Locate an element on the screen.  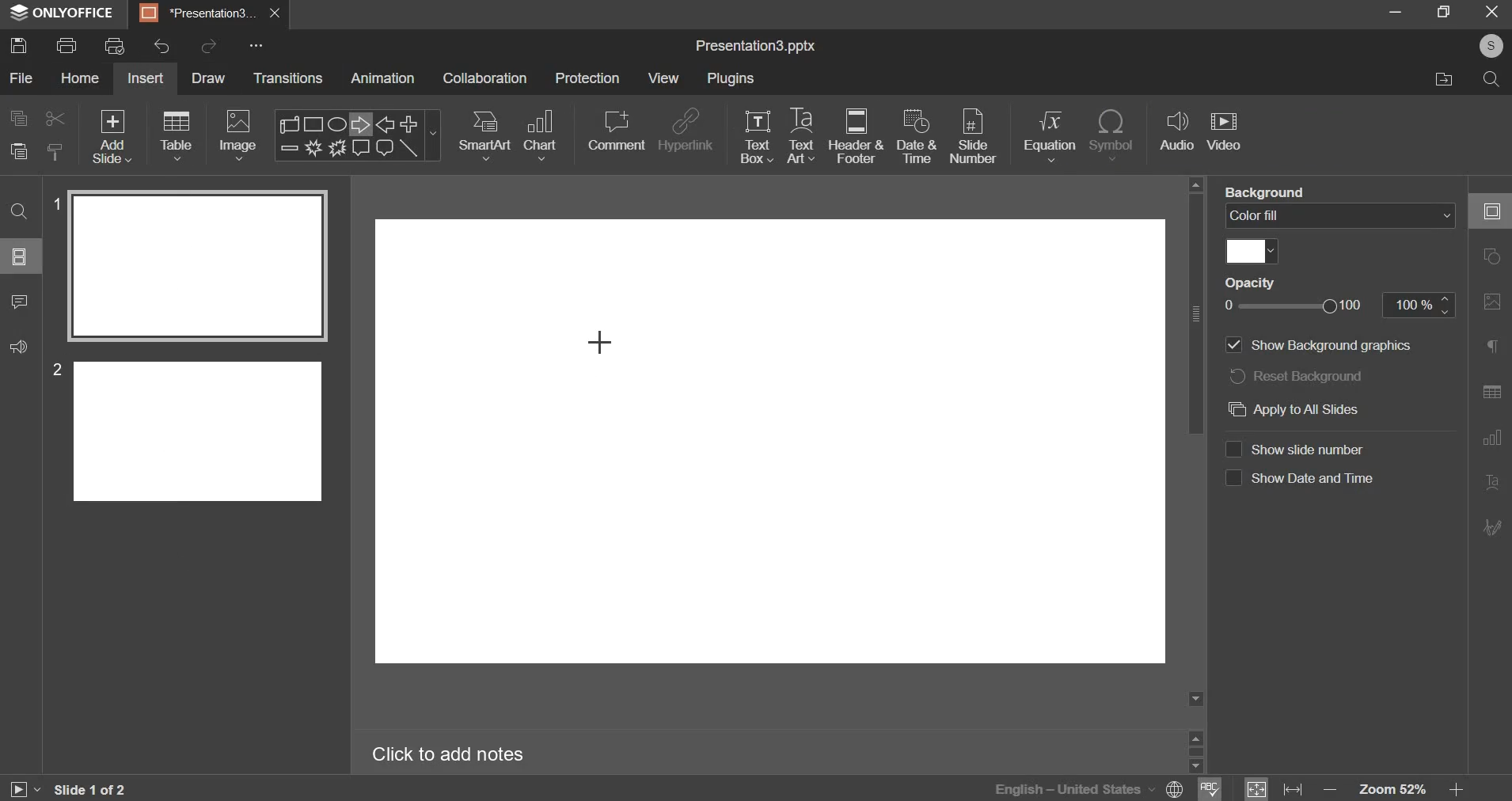
slide layout is located at coordinates (19, 256).